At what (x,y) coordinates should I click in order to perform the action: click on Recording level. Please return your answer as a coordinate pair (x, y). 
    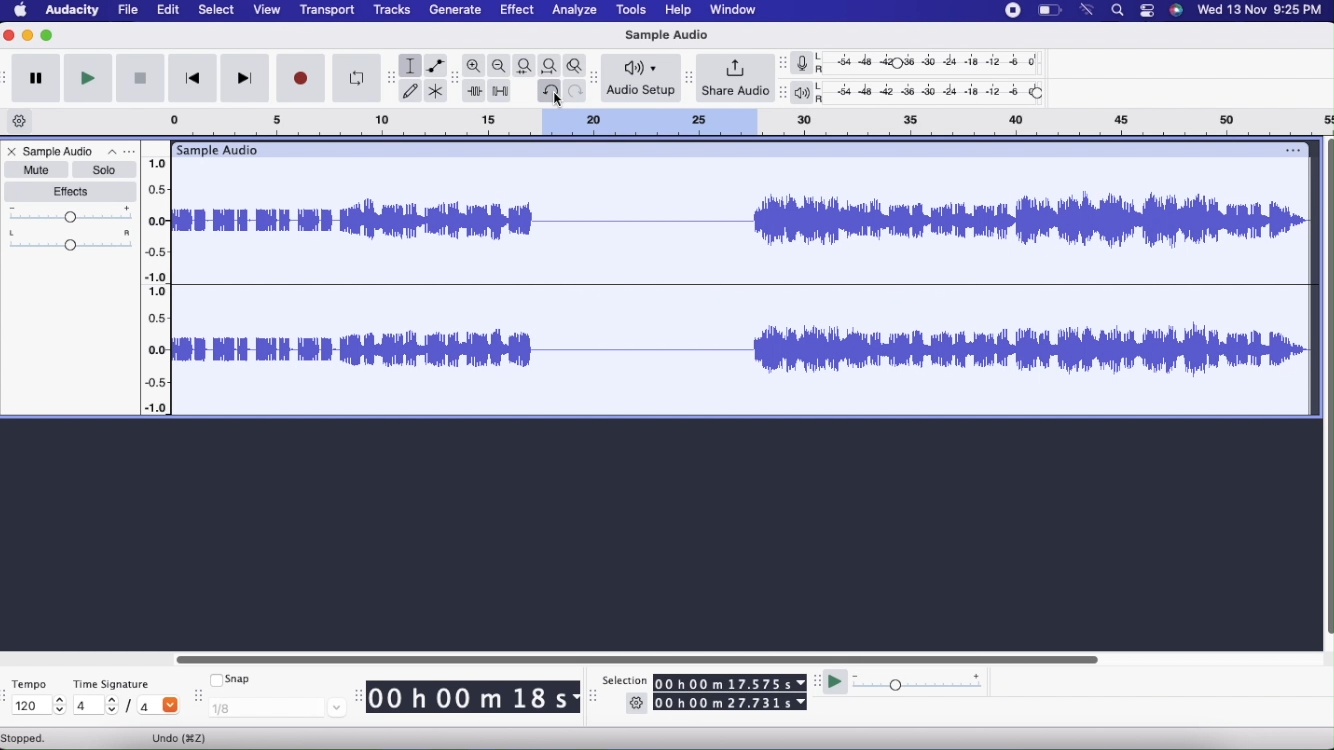
    Looking at the image, I should click on (938, 62).